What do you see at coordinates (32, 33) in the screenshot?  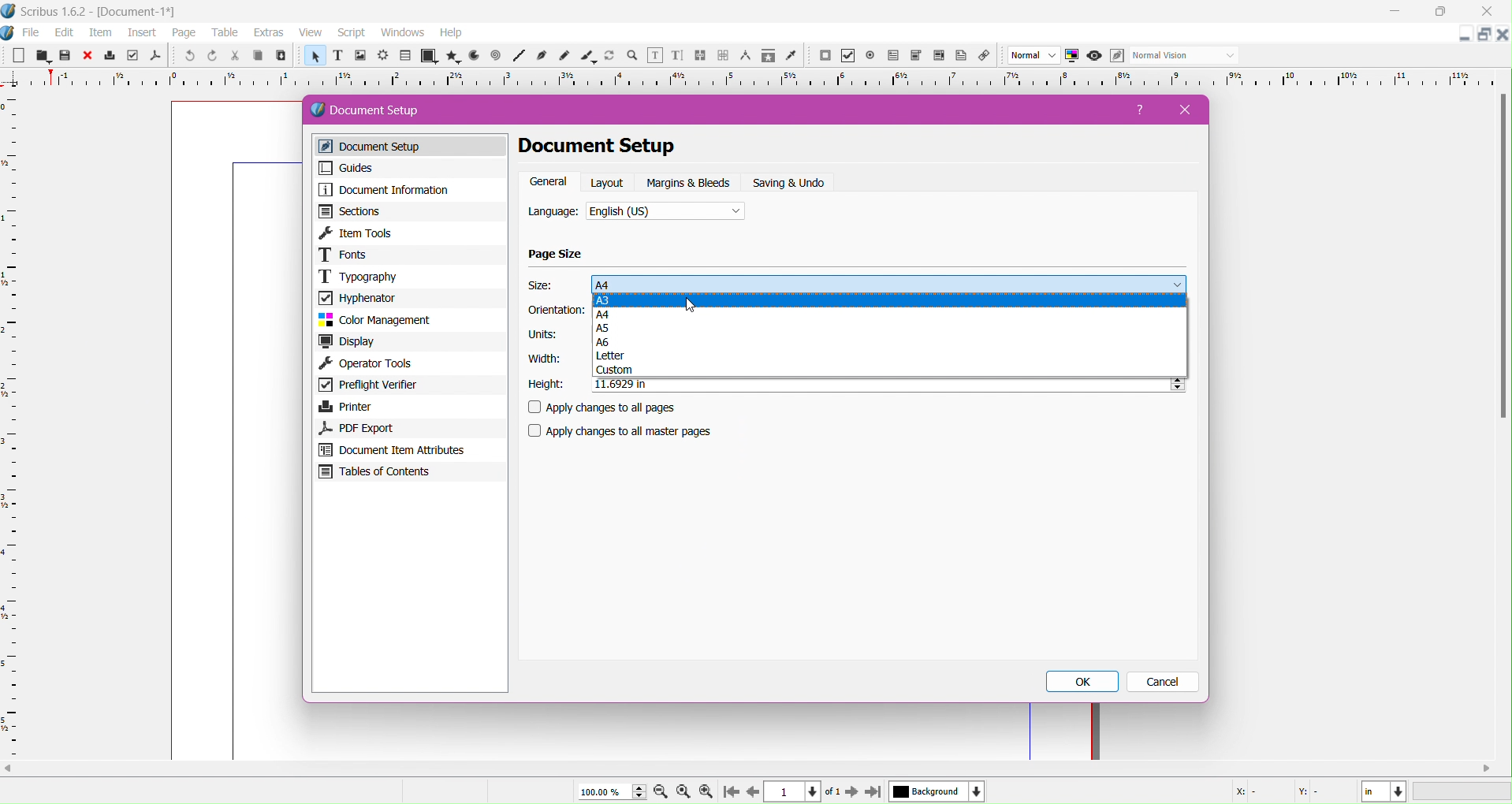 I see `file menu` at bounding box center [32, 33].